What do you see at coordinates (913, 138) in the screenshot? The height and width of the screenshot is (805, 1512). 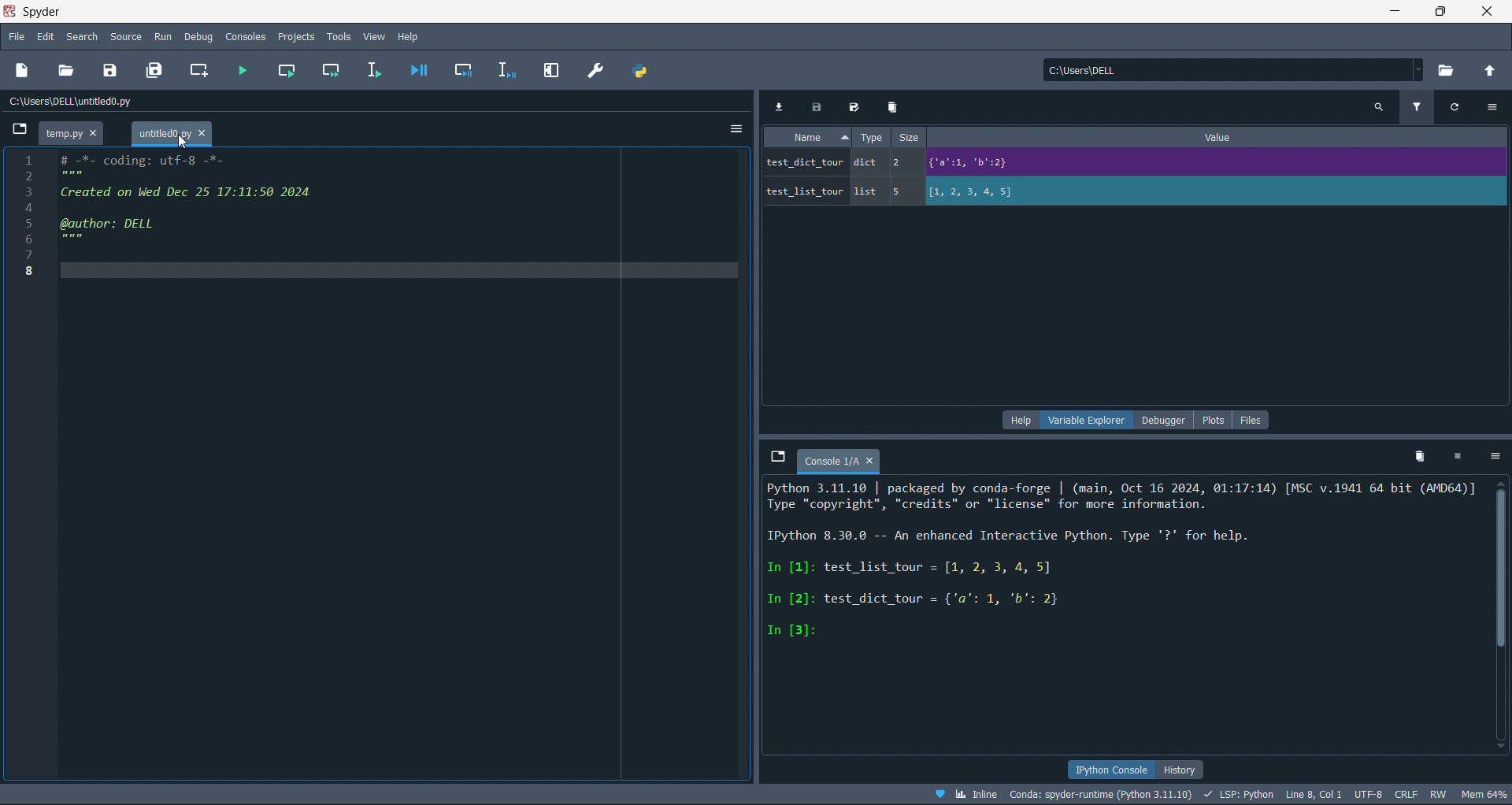 I see `size` at bounding box center [913, 138].